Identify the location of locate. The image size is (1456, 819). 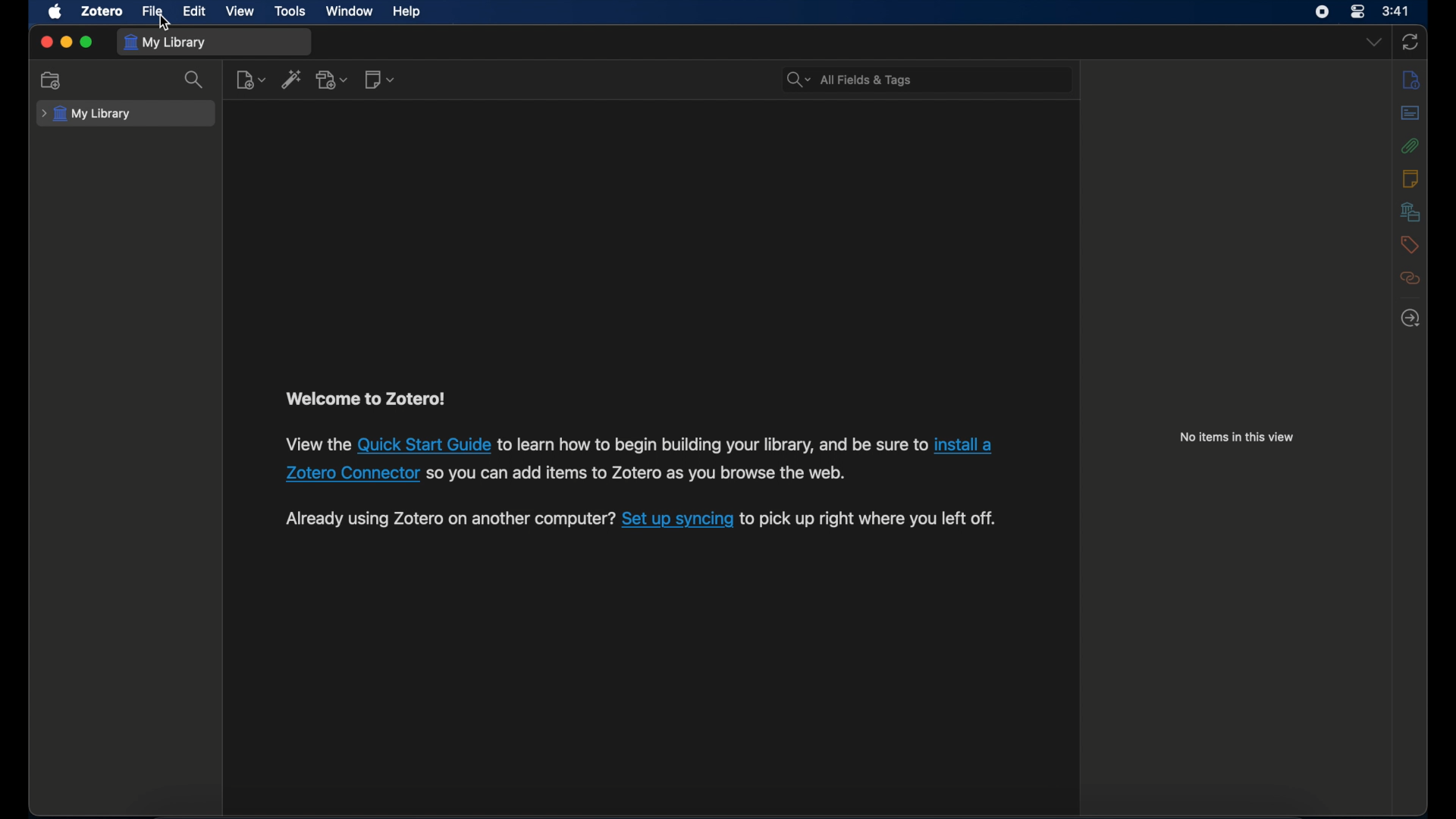
(1410, 318).